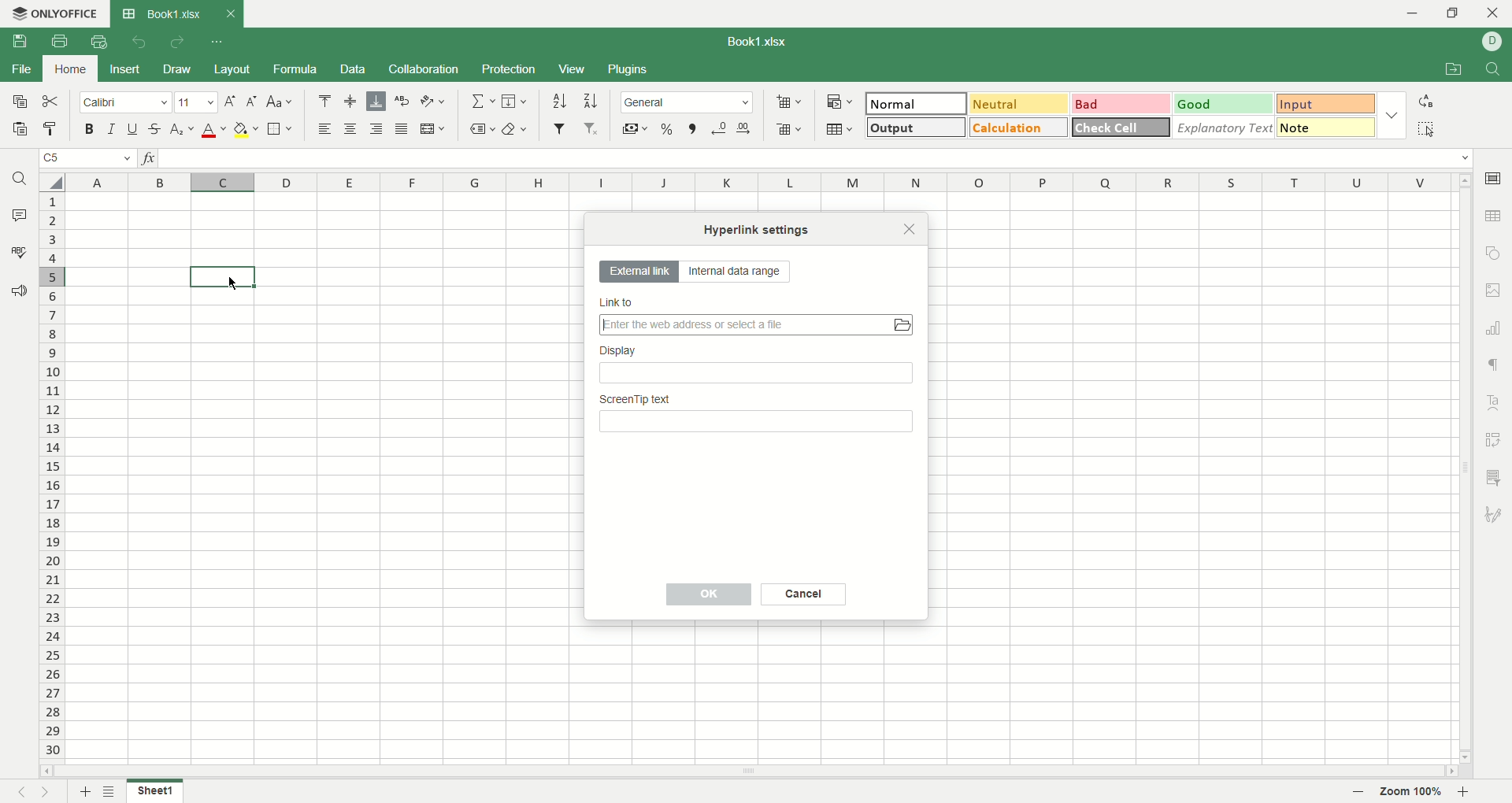 Image resolution: width=1512 pixels, height=803 pixels. What do you see at coordinates (637, 272) in the screenshot?
I see `external link` at bounding box center [637, 272].